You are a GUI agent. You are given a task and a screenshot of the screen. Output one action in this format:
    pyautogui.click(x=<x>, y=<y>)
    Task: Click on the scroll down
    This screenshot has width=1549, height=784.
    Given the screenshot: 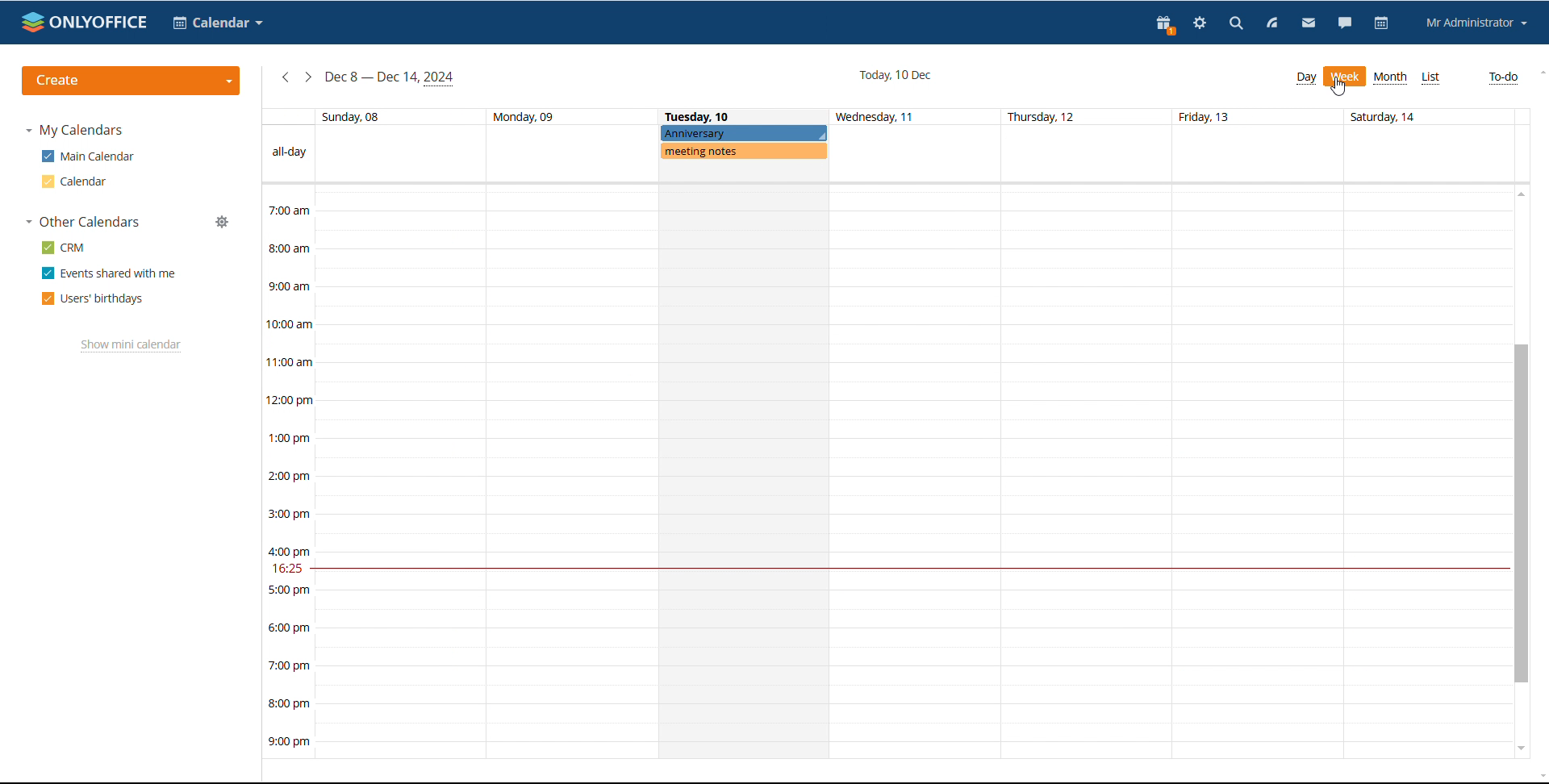 What is the action you would take?
    pyautogui.click(x=1522, y=749)
    